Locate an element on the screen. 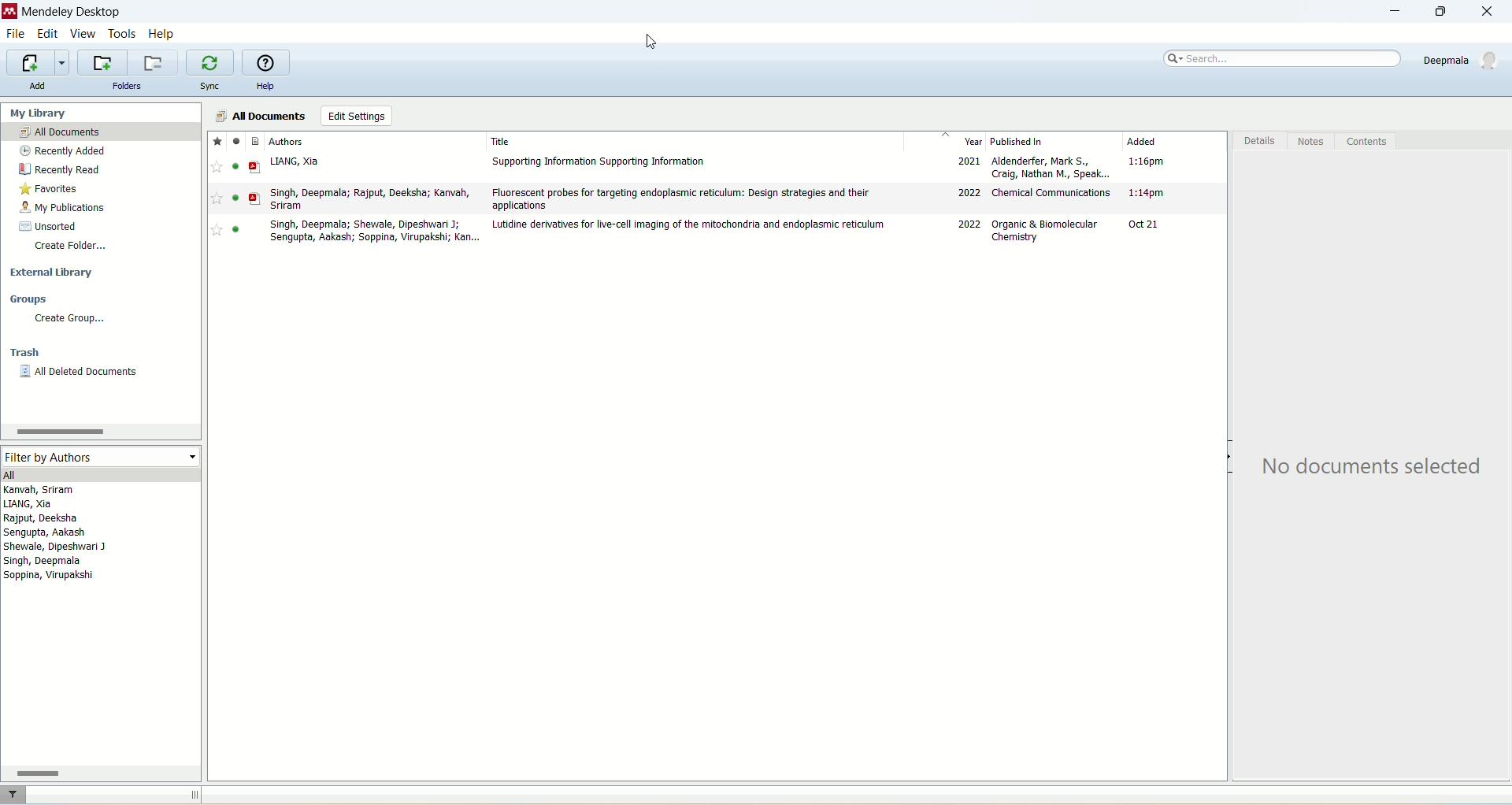 The width and height of the screenshot is (1512, 805). 2022 is located at coordinates (969, 162).